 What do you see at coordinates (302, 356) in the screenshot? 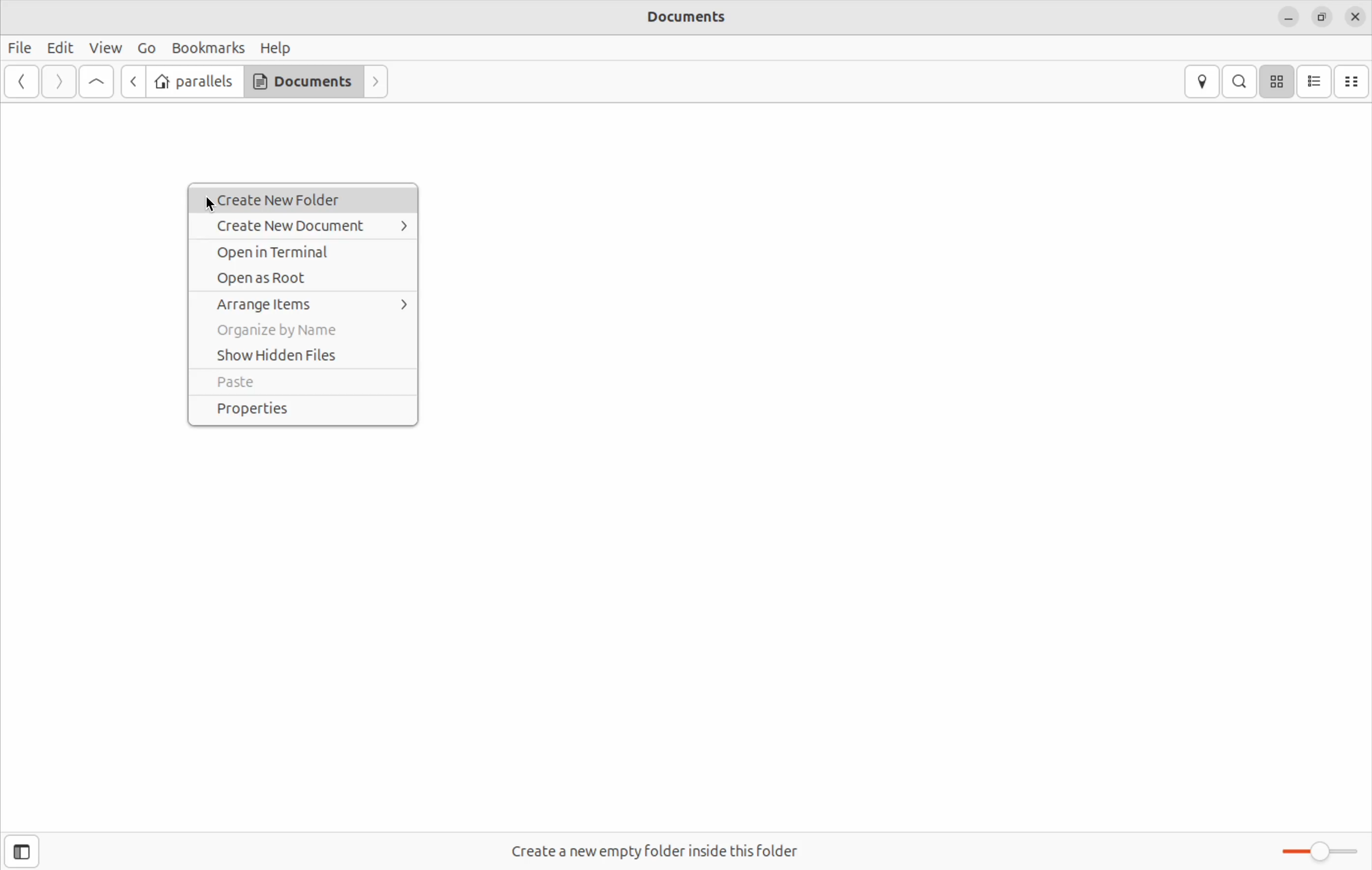
I see `Show Hidden Files` at bounding box center [302, 356].